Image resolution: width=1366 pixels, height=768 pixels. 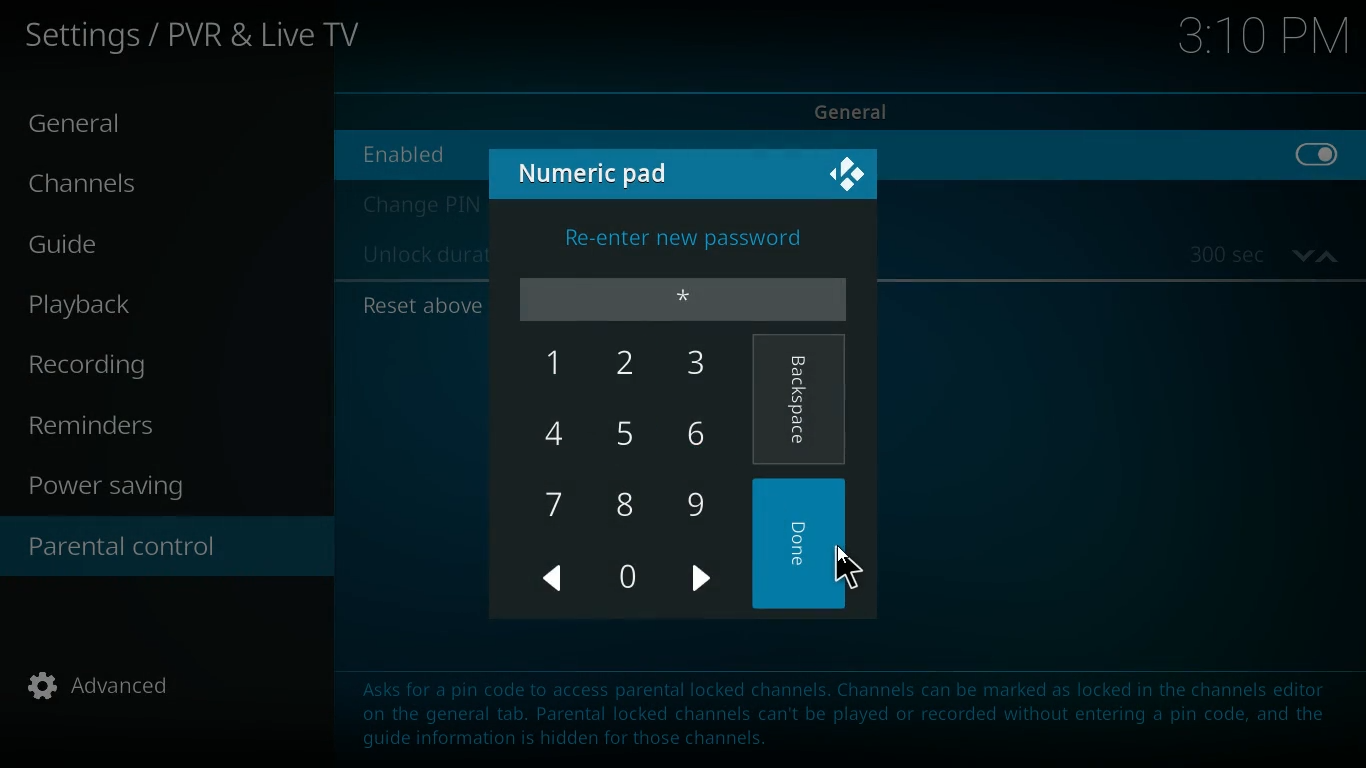 What do you see at coordinates (418, 205) in the screenshot?
I see `change pin` at bounding box center [418, 205].